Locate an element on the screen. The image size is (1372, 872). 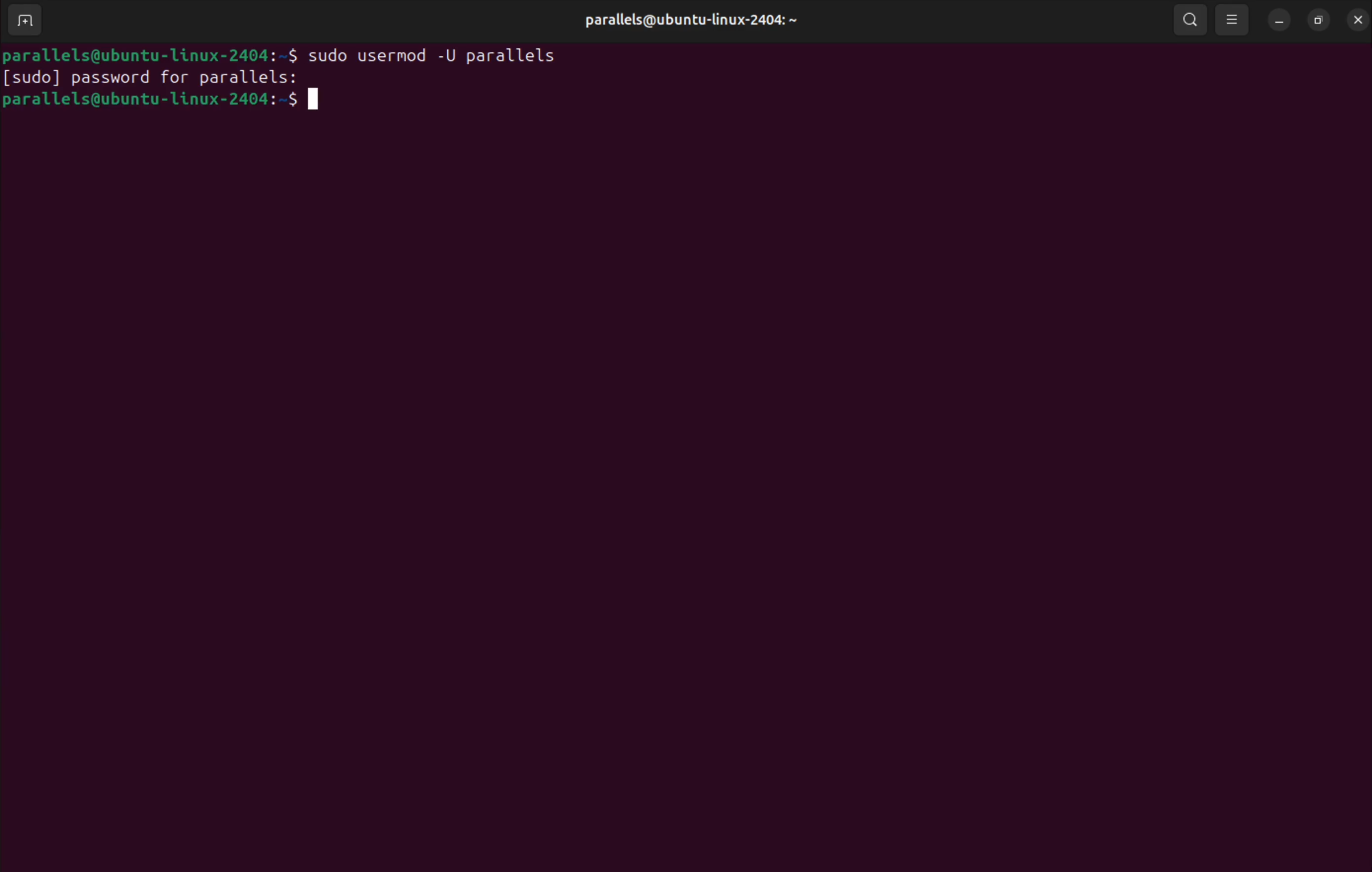
search  is located at coordinates (1190, 19).